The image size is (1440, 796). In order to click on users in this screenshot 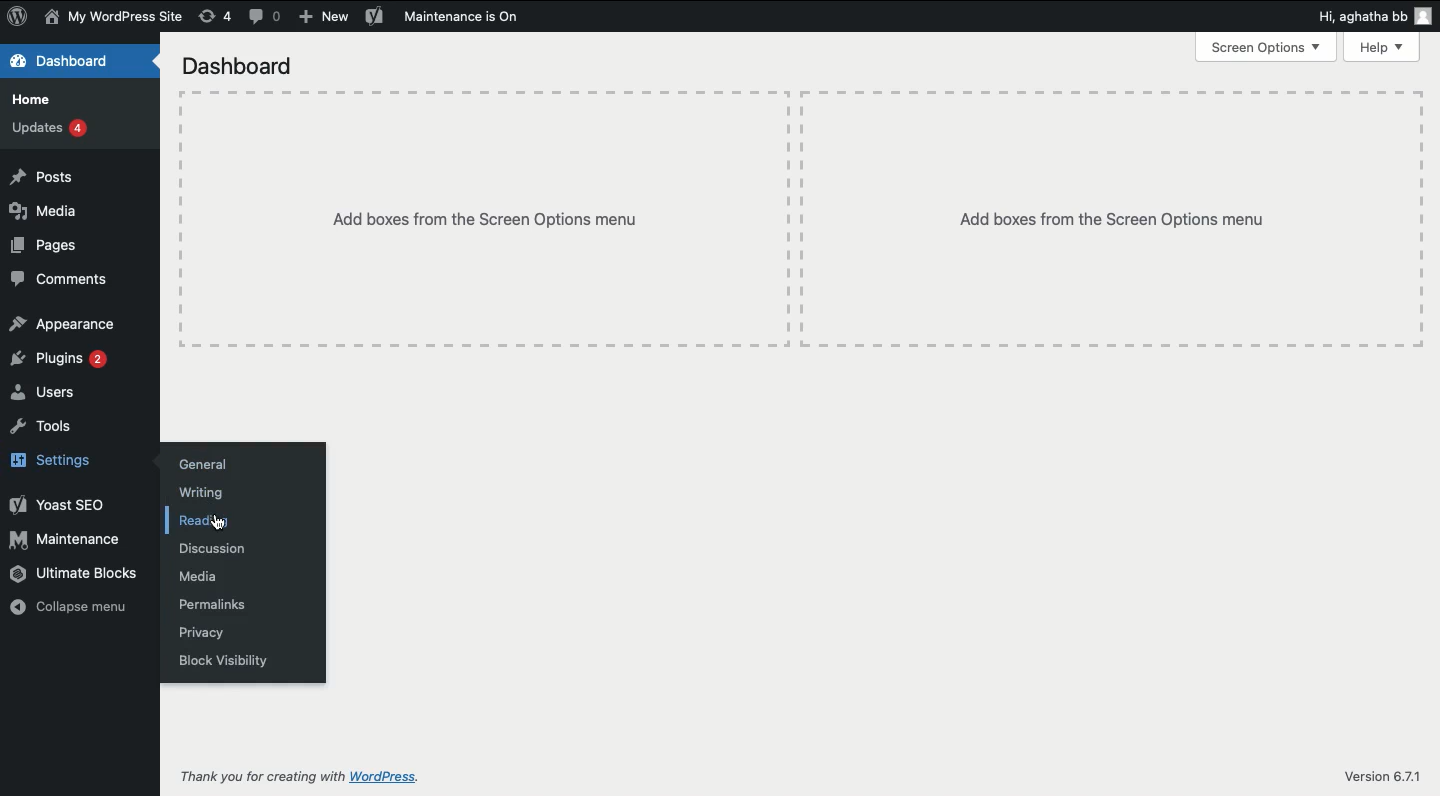, I will do `click(52, 392)`.